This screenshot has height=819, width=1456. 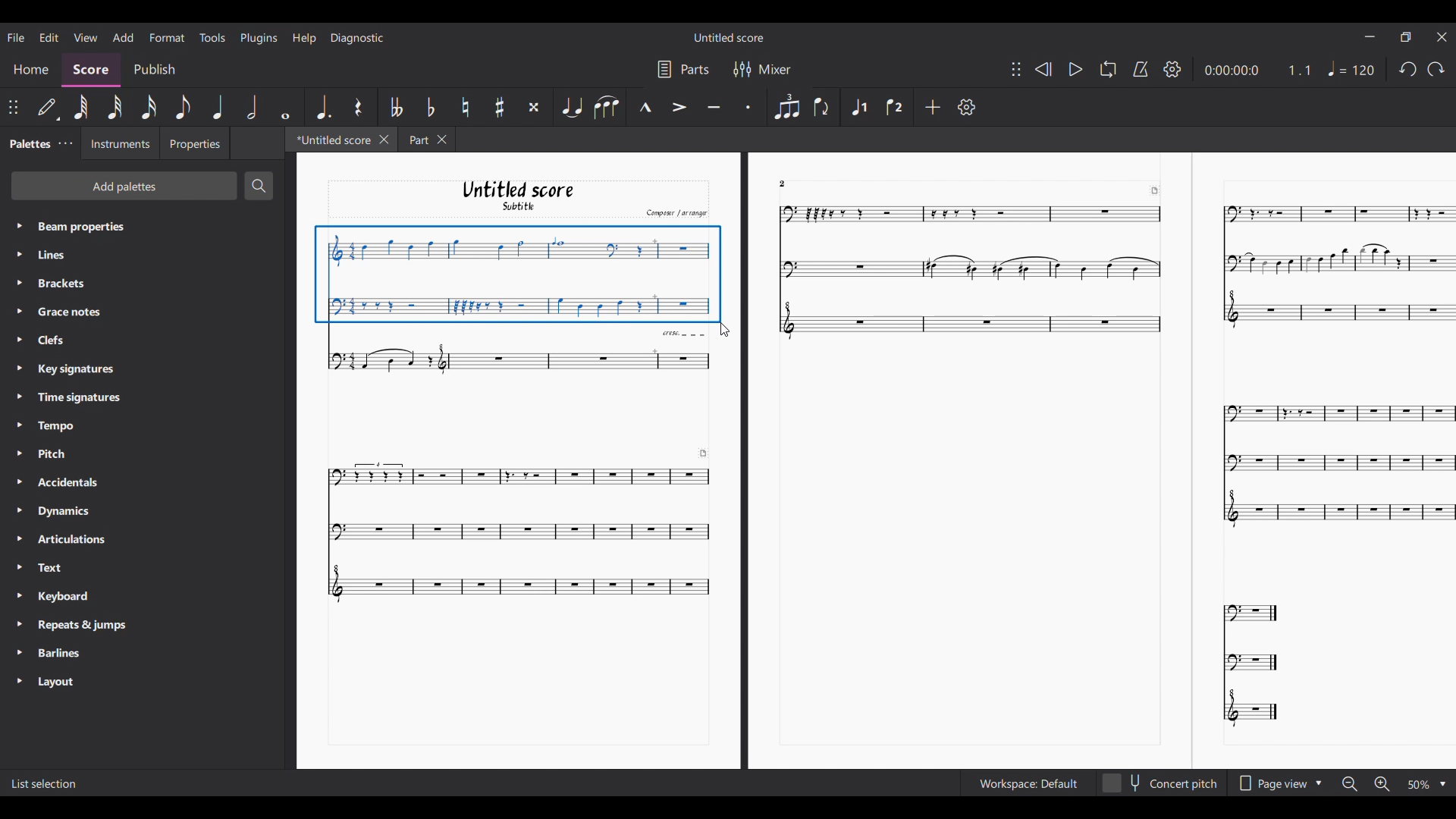 I want to click on Barlines, so click(x=62, y=654).